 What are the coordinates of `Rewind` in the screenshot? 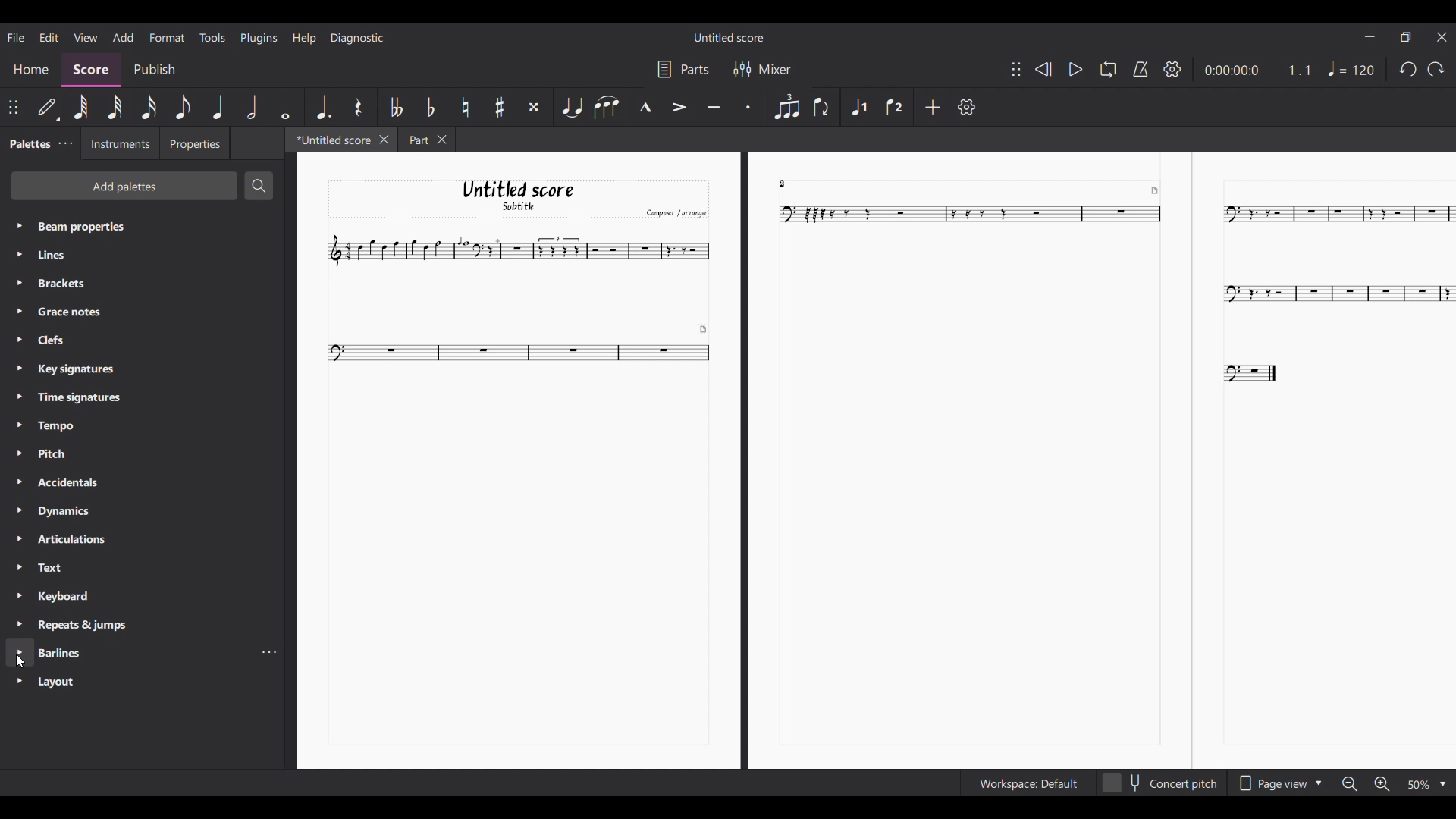 It's located at (1043, 70).